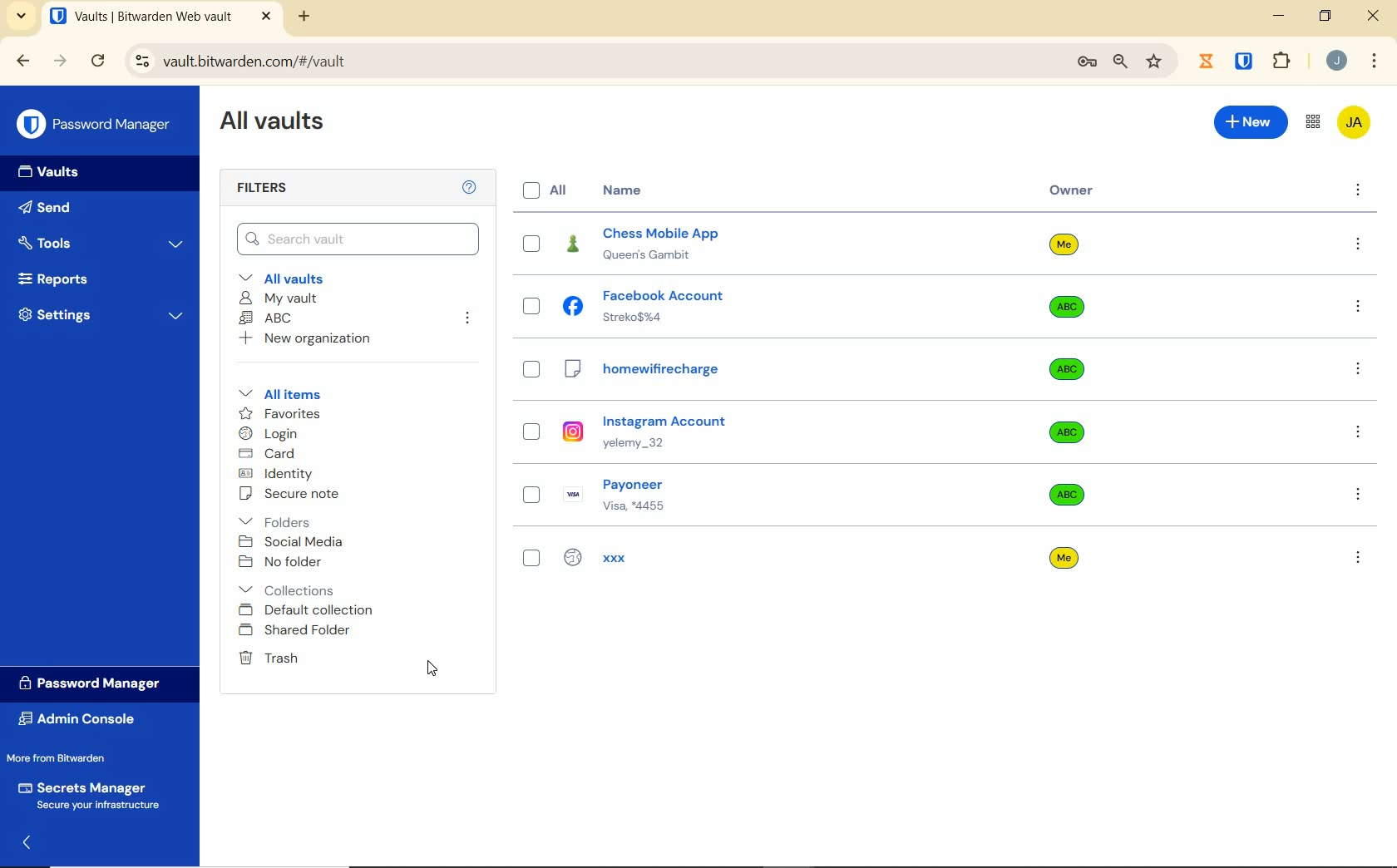 The image size is (1397, 868). What do you see at coordinates (1060, 404) in the screenshot?
I see `Owner Name` at bounding box center [1060, 404].